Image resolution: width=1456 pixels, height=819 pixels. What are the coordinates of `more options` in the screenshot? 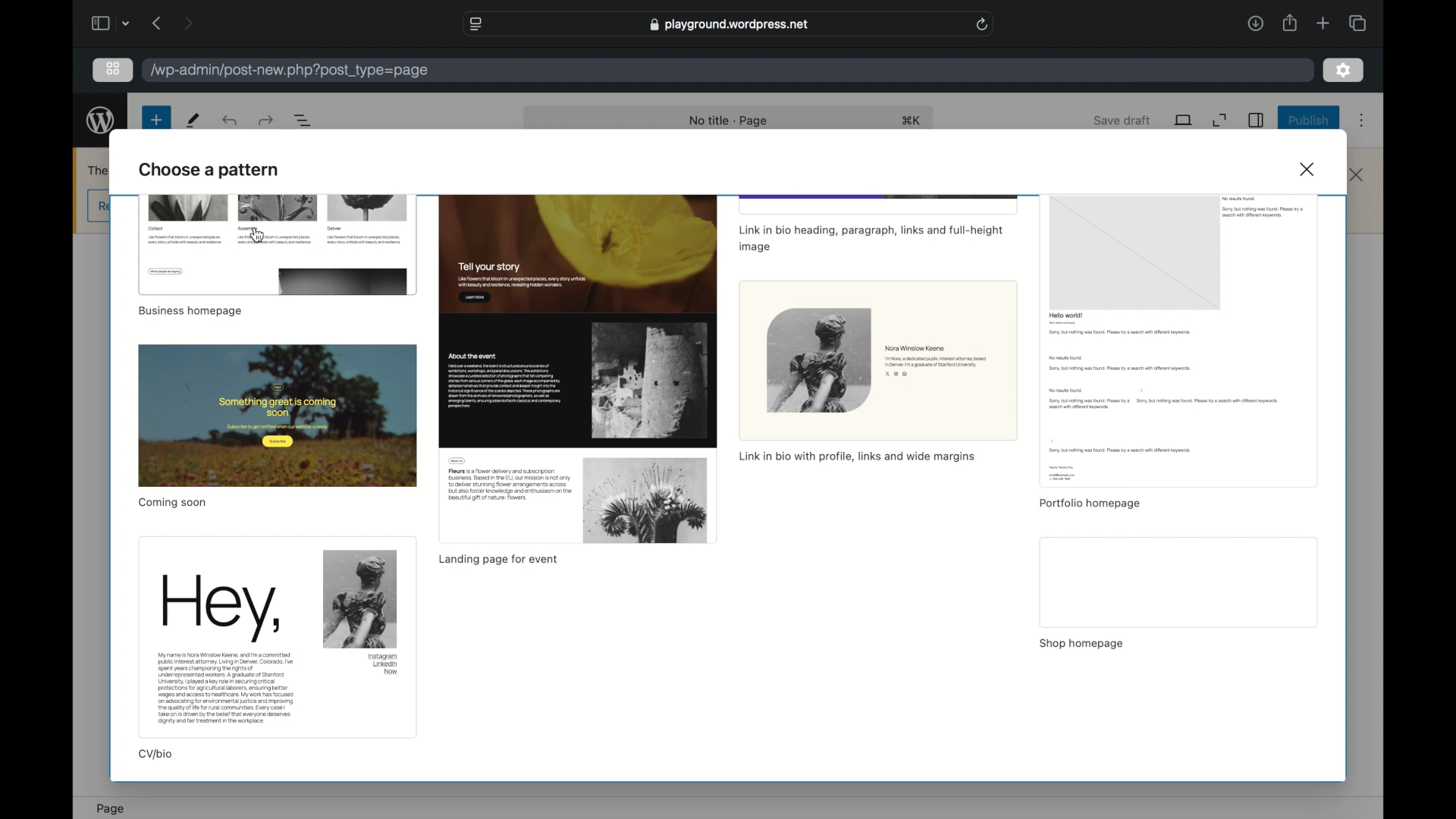 It's located at (1362, 121).